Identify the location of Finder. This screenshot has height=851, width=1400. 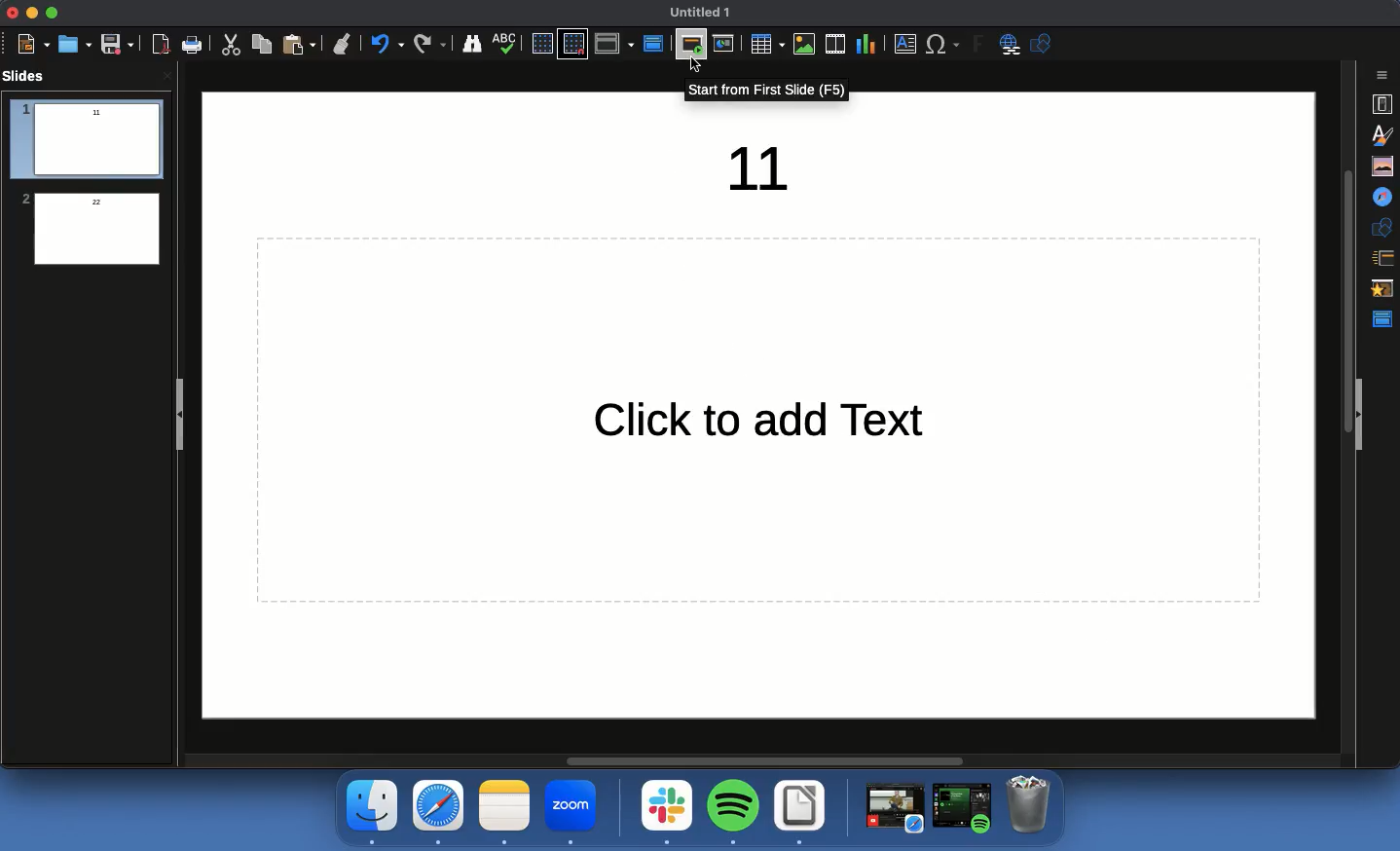
(372, 812).